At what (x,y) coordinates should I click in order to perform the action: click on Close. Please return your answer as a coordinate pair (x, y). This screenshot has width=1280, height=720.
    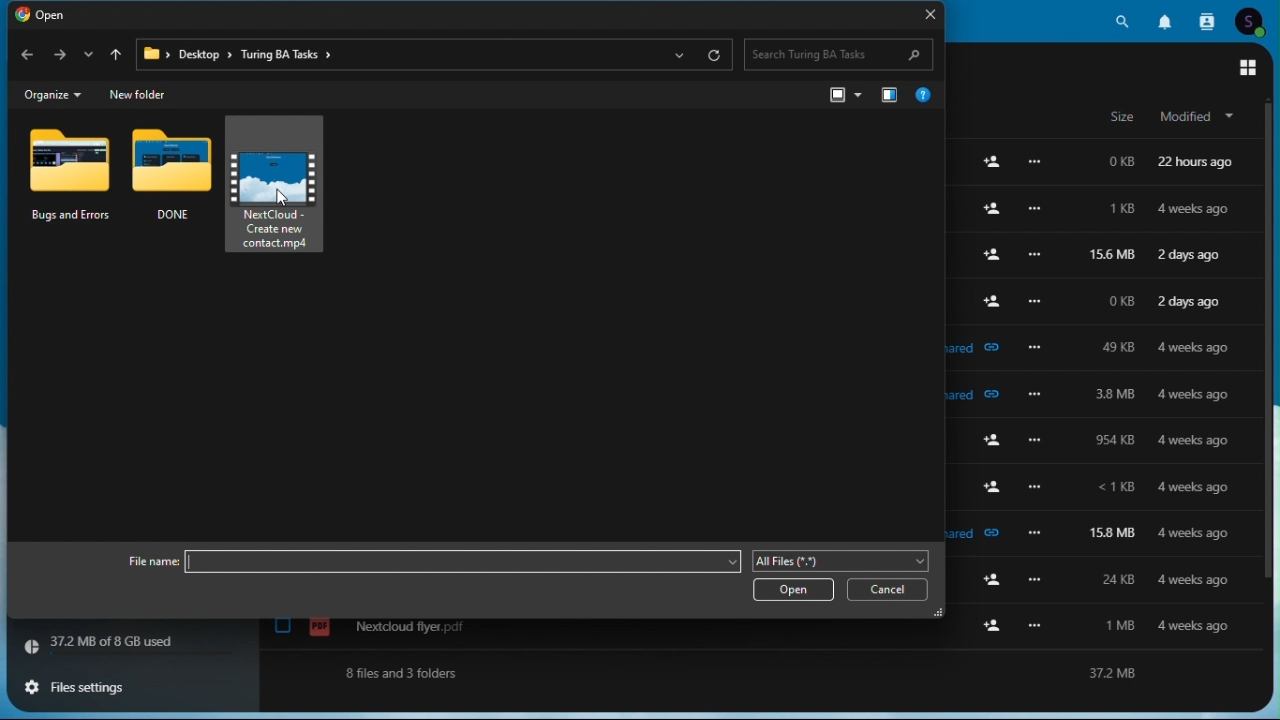
    Looking at the image, I should click on (920, 17).